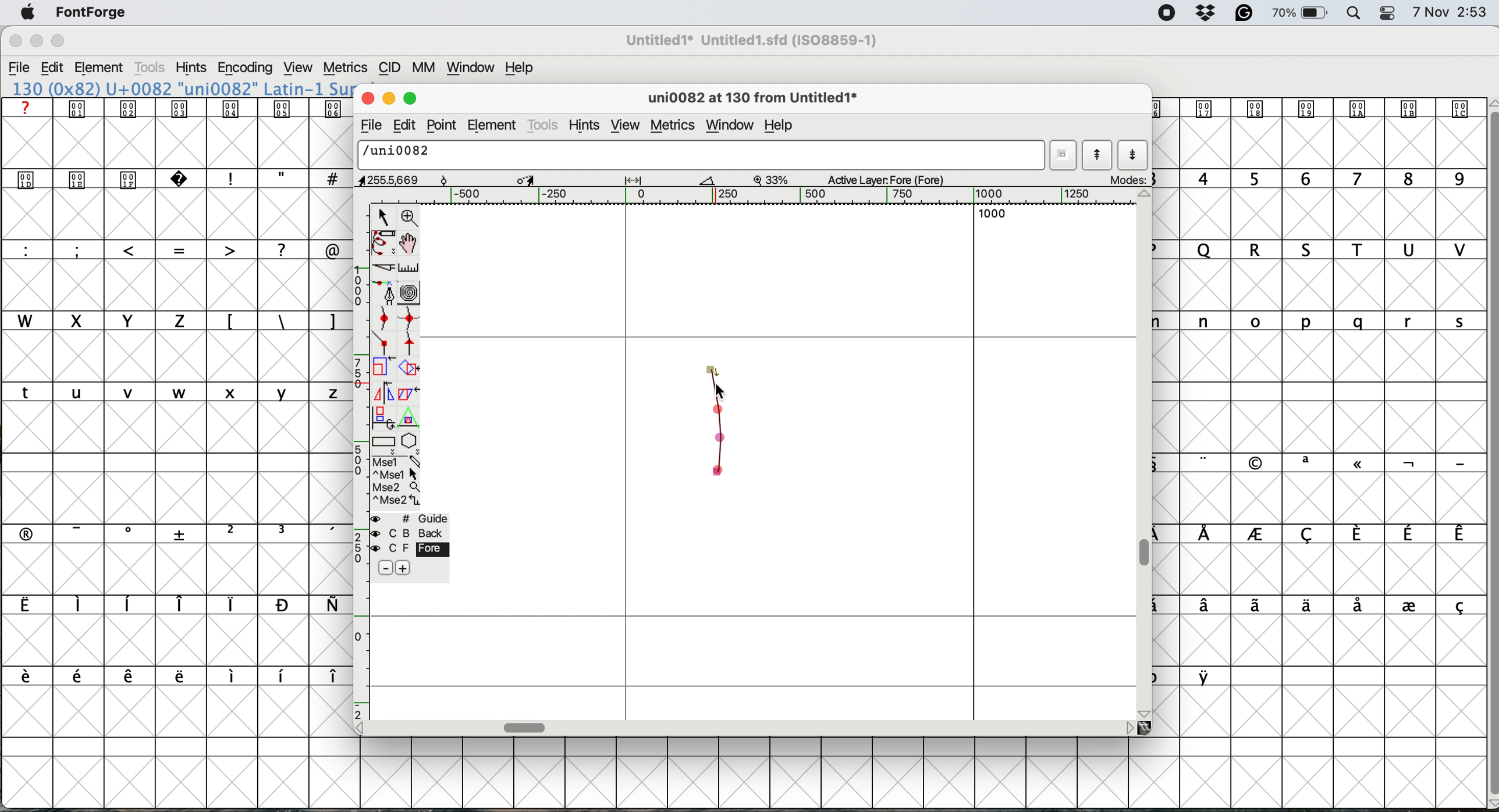 This screenshot has height=812, width=1499. What do you see at coordinates (413, 321) in the screenshot?
I see `add a curve point horizontally or vertically` at bounding box center [413, 321].